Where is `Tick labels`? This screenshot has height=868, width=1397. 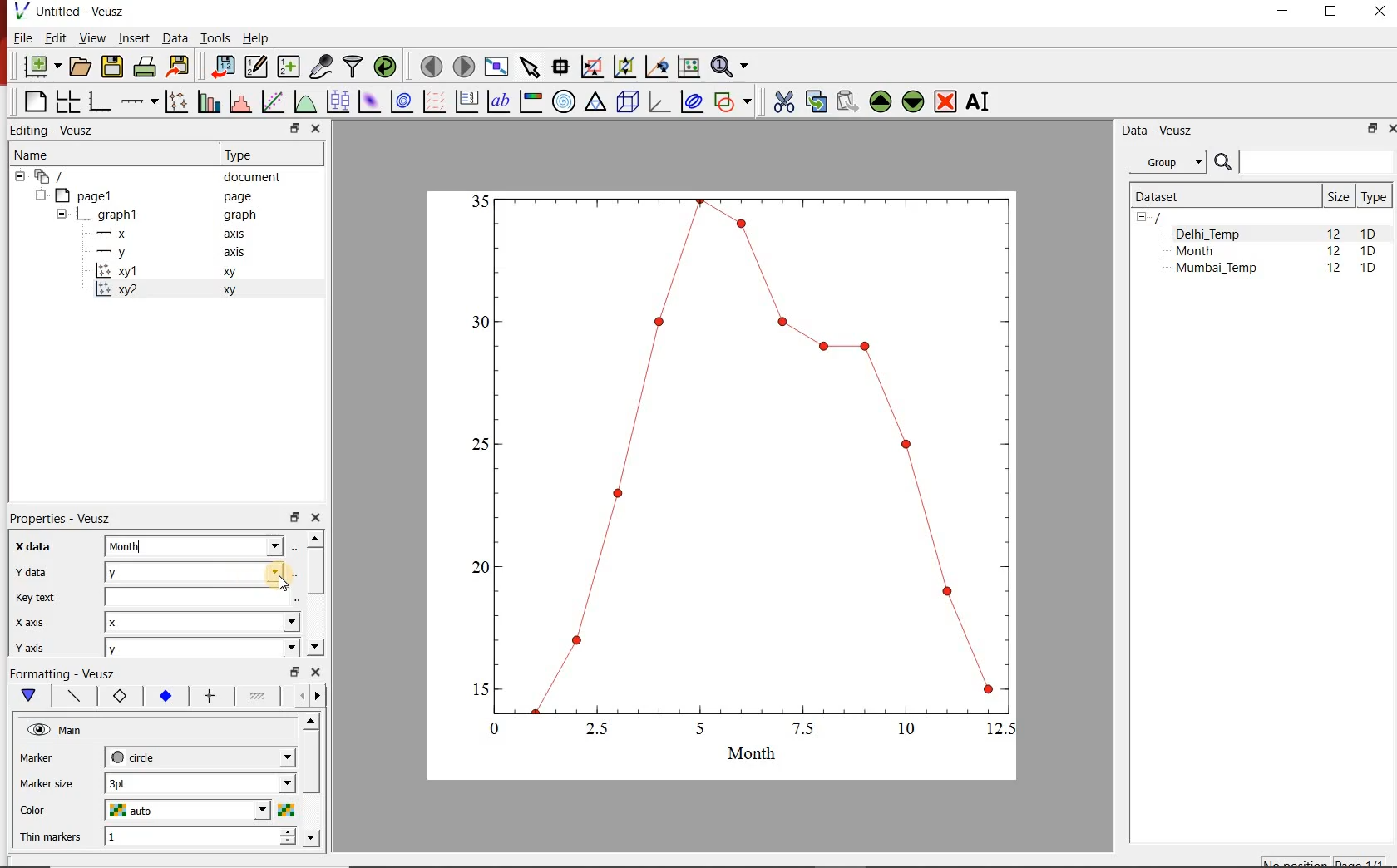
Tick labels is located at coordinates (164, 693).